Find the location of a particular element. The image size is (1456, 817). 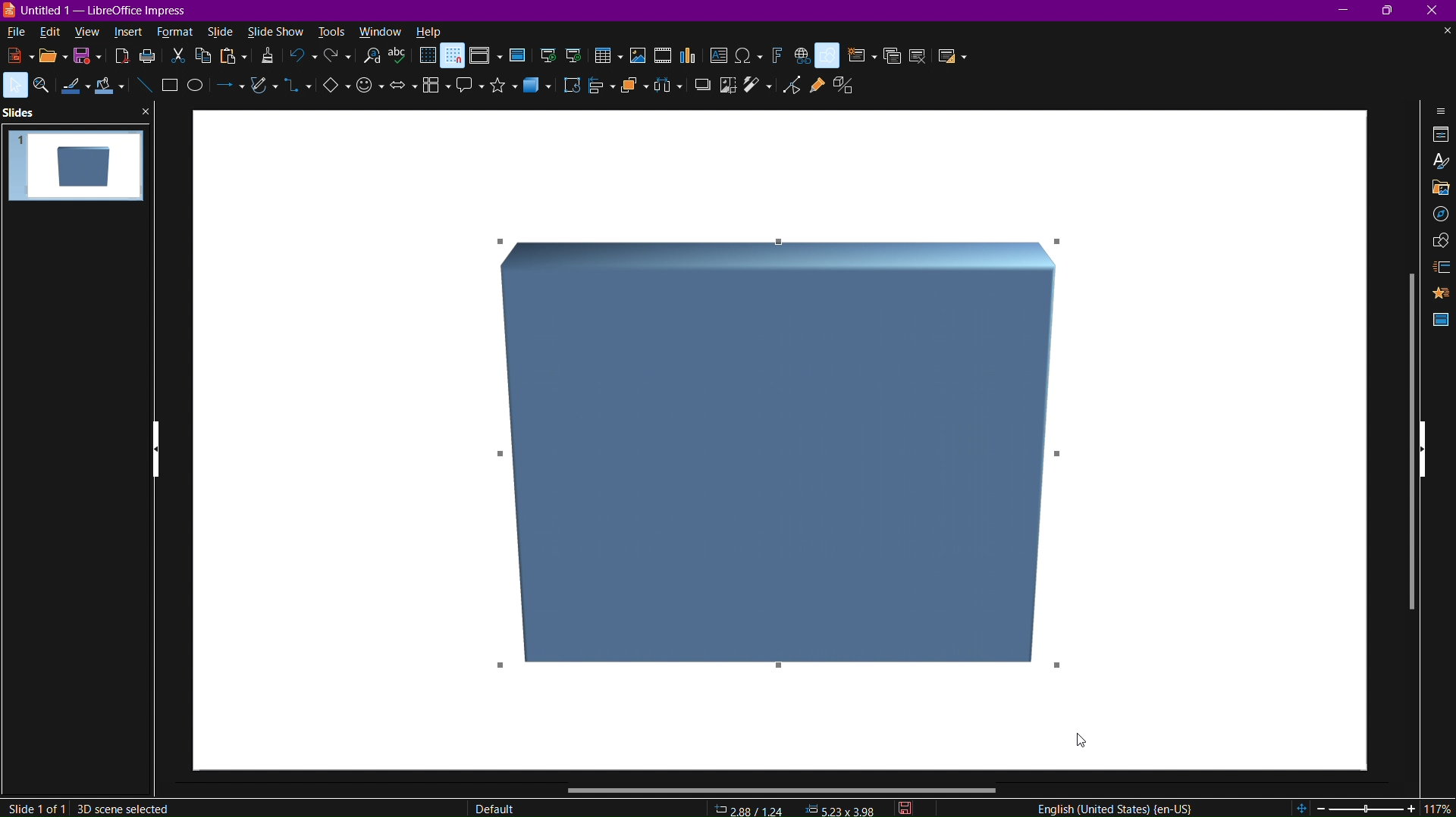

zoom factor is located at coordinates (1438, 807).